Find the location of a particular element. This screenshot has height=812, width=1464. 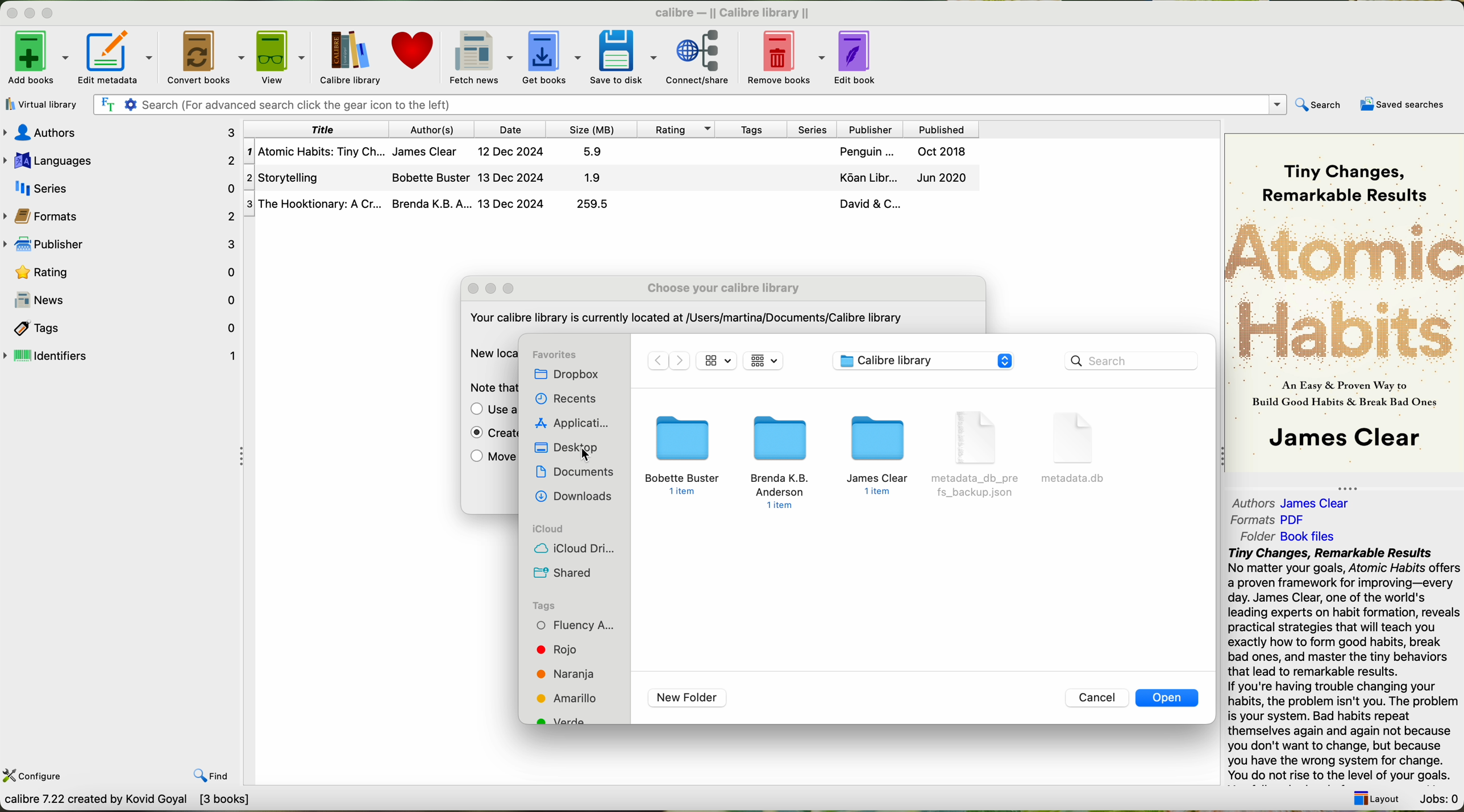

| Fr ¢ Search (For advanced search click the gear icon to the left) is located at coordinates (685, 103).